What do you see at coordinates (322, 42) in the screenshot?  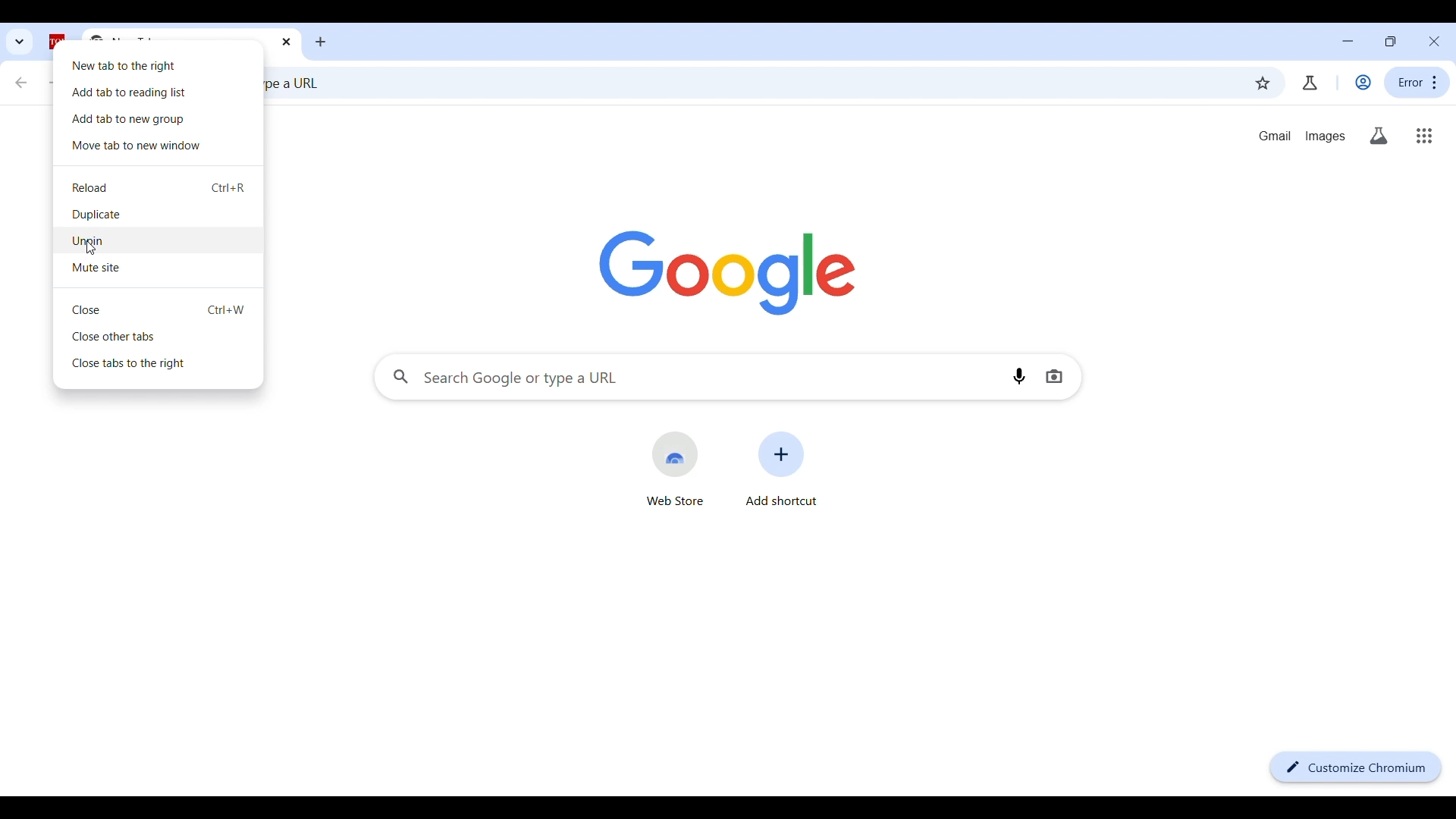 I see `Add new tab` at bounding box center [322, 42].